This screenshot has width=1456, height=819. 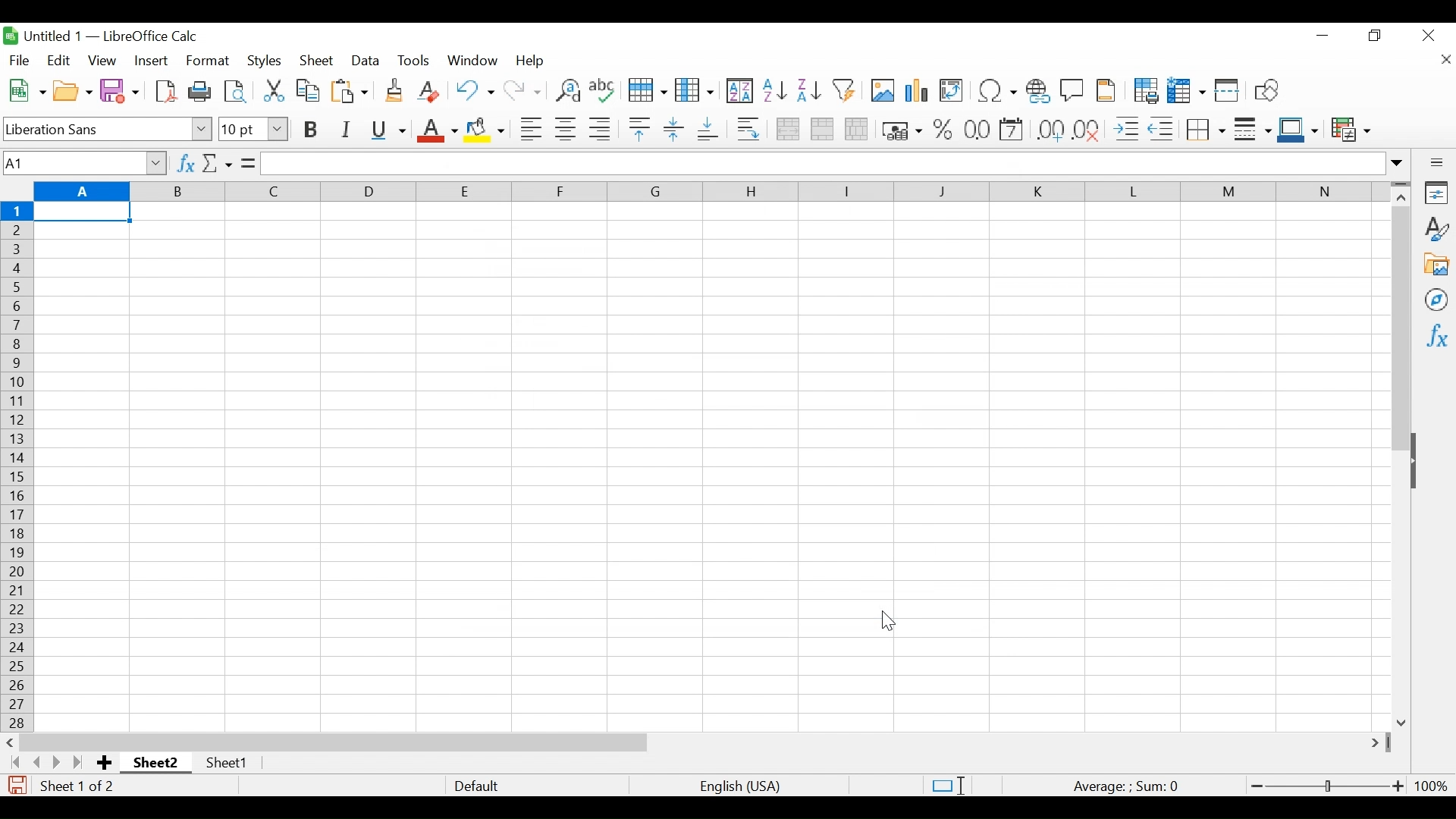 What do you see at coordinates (166, 90) in the screenshot?
I see `Save as PDF` at bounding box center [166, 90].